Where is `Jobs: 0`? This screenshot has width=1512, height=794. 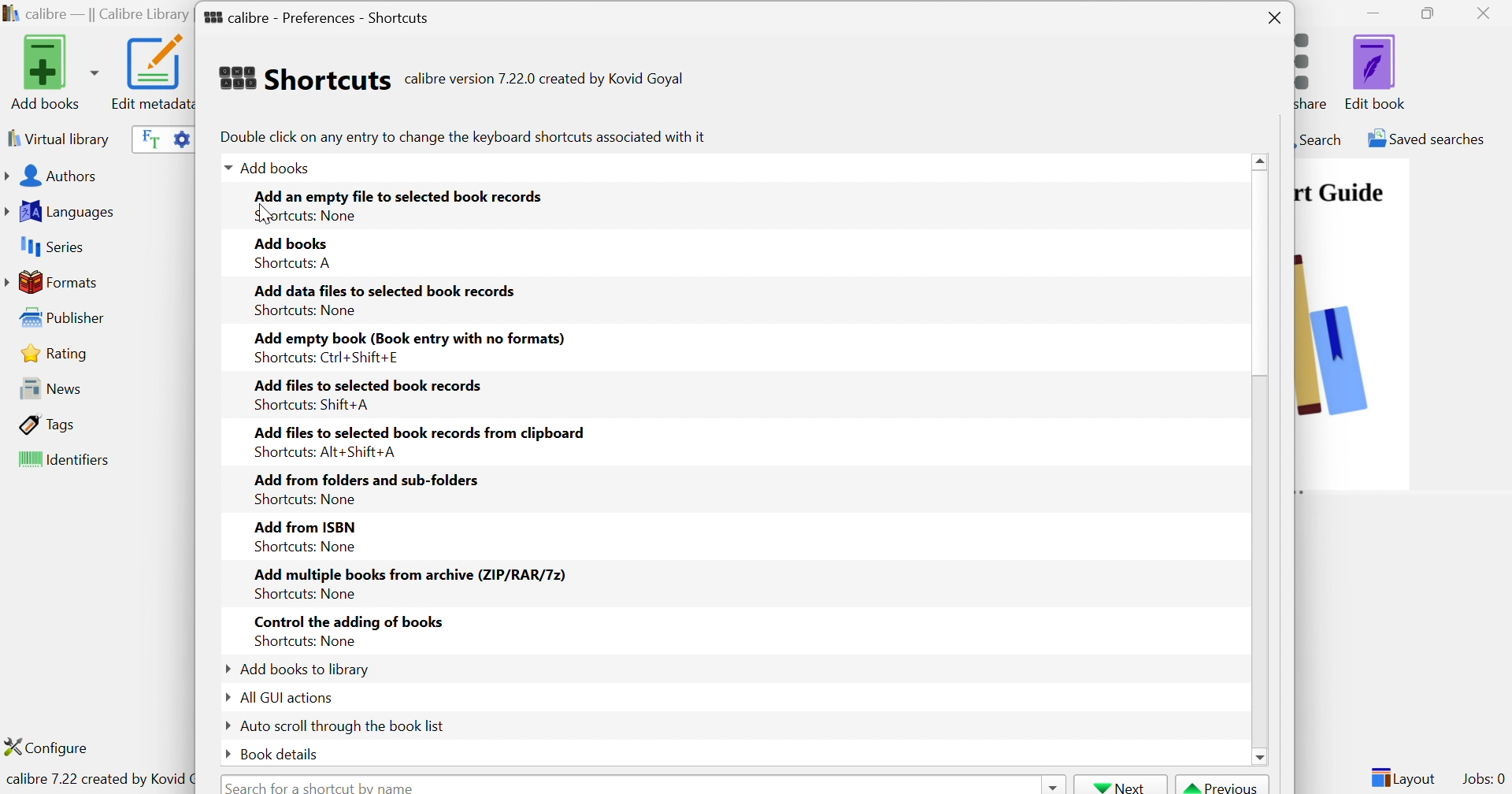 Jobs: 0 is located at coordinates (1484, 780).